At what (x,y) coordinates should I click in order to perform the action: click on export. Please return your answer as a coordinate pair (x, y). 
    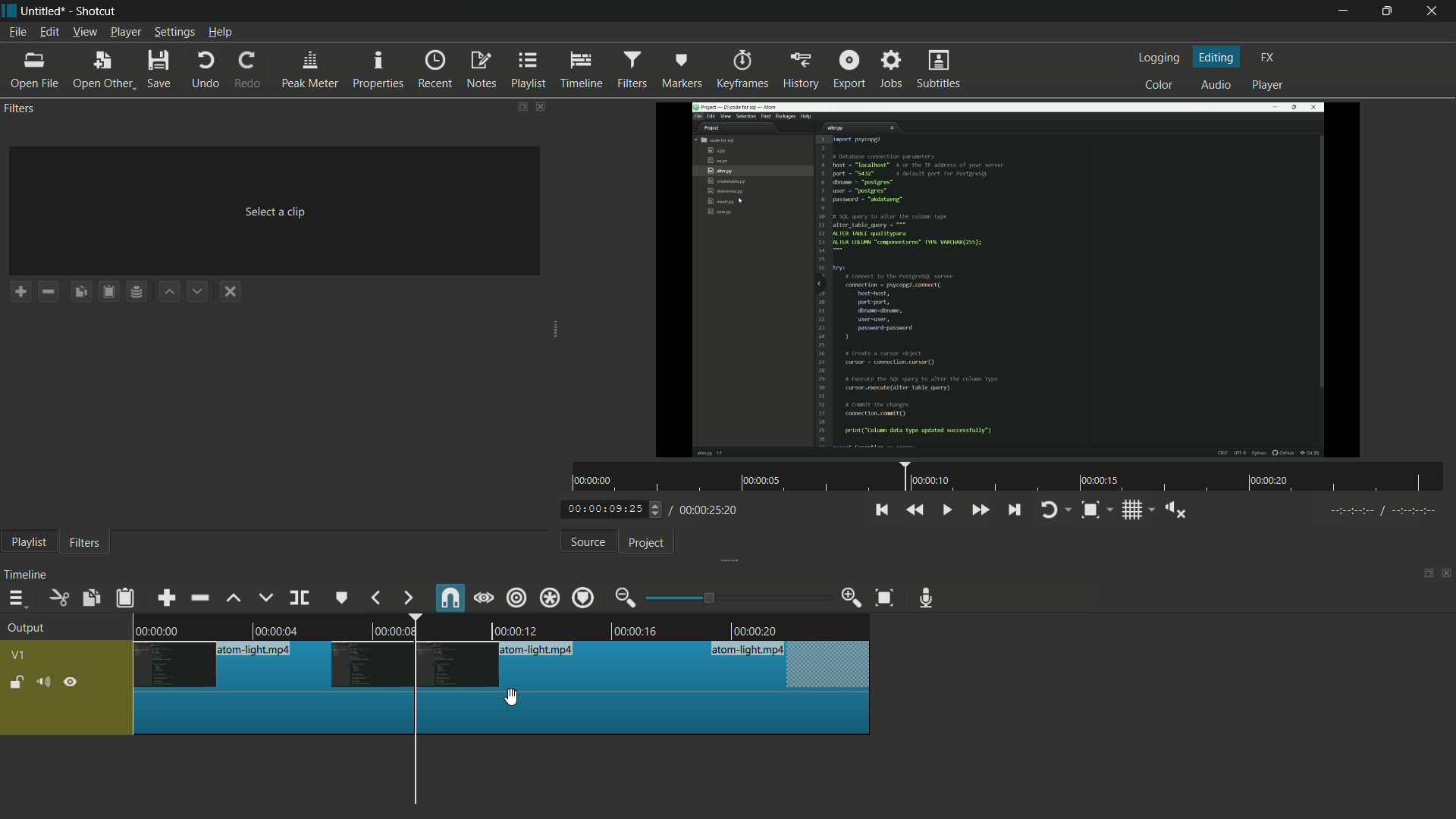
    Looking at the image, I should click on (849, 67).